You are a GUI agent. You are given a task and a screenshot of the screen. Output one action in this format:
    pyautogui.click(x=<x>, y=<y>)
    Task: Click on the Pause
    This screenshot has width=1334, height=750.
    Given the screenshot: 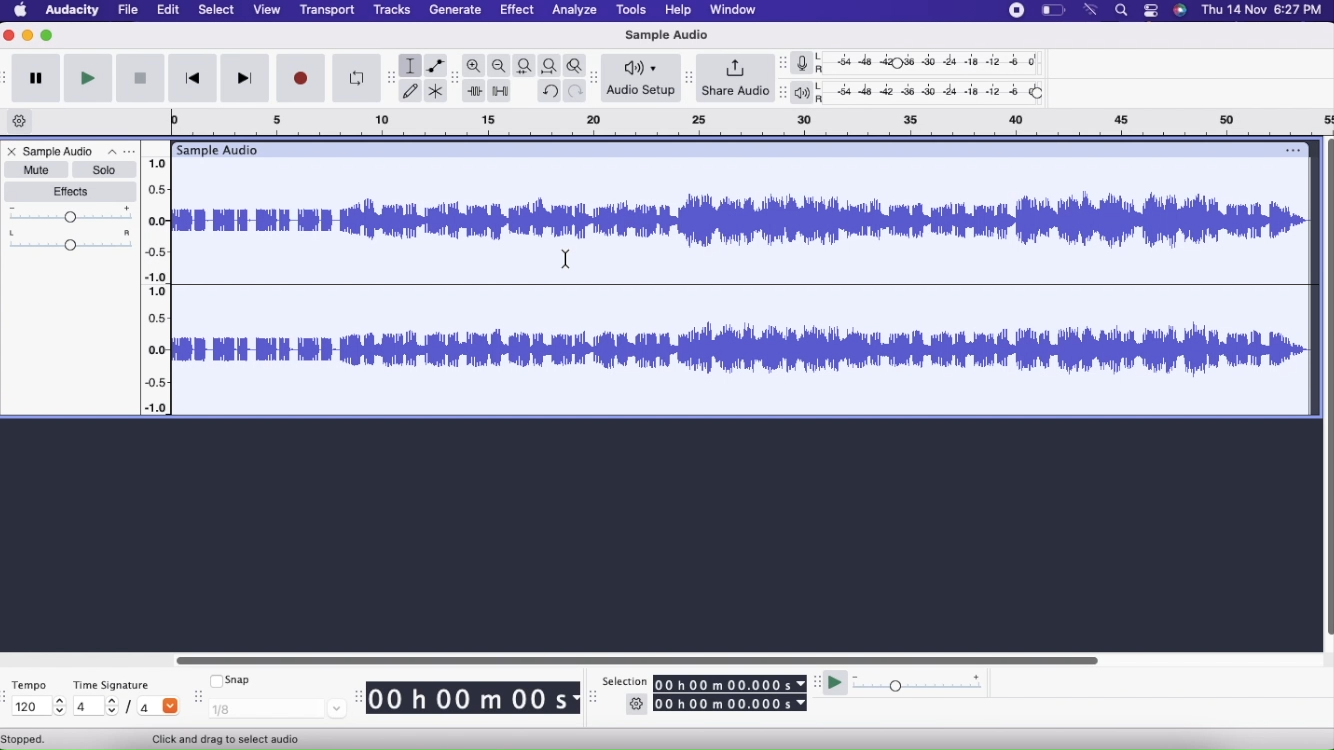 What is the action you would take?
    pyautogui.click(x=38, y=79)
    